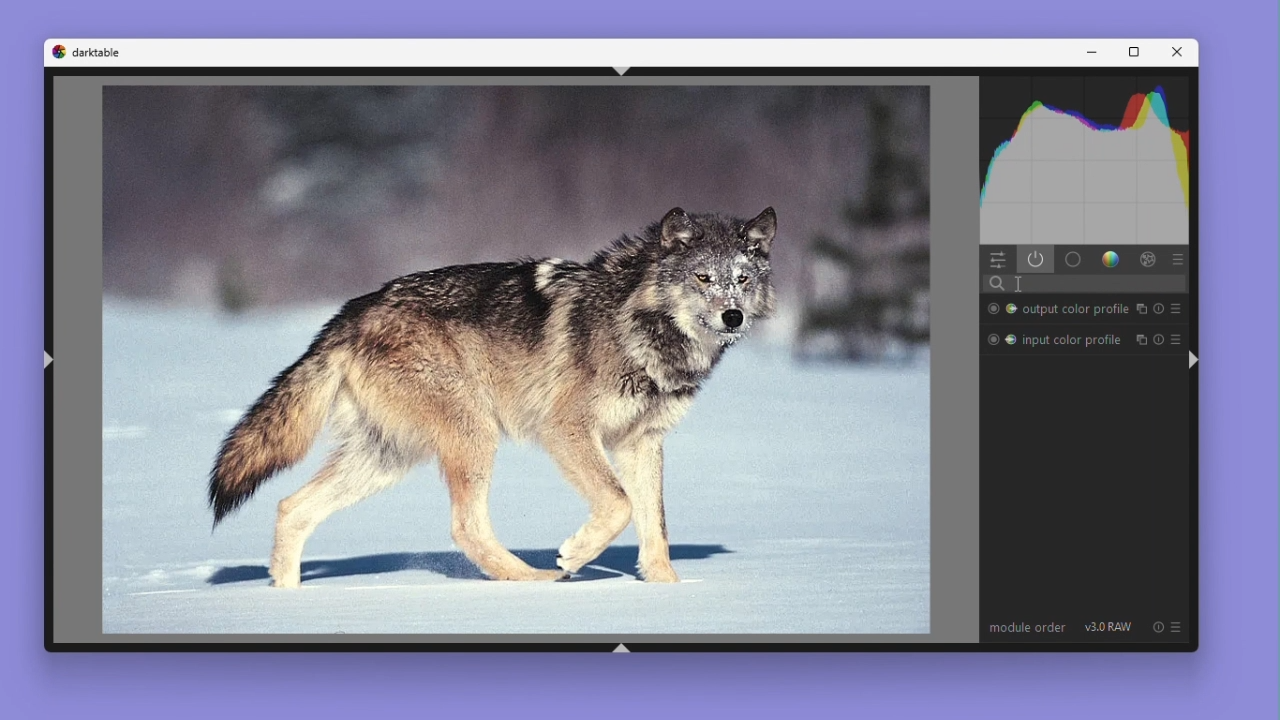 The image size is (1280, 720). Describe the element at coordinates (1145, 260) in the screenshot. I see `Effect` at that location.